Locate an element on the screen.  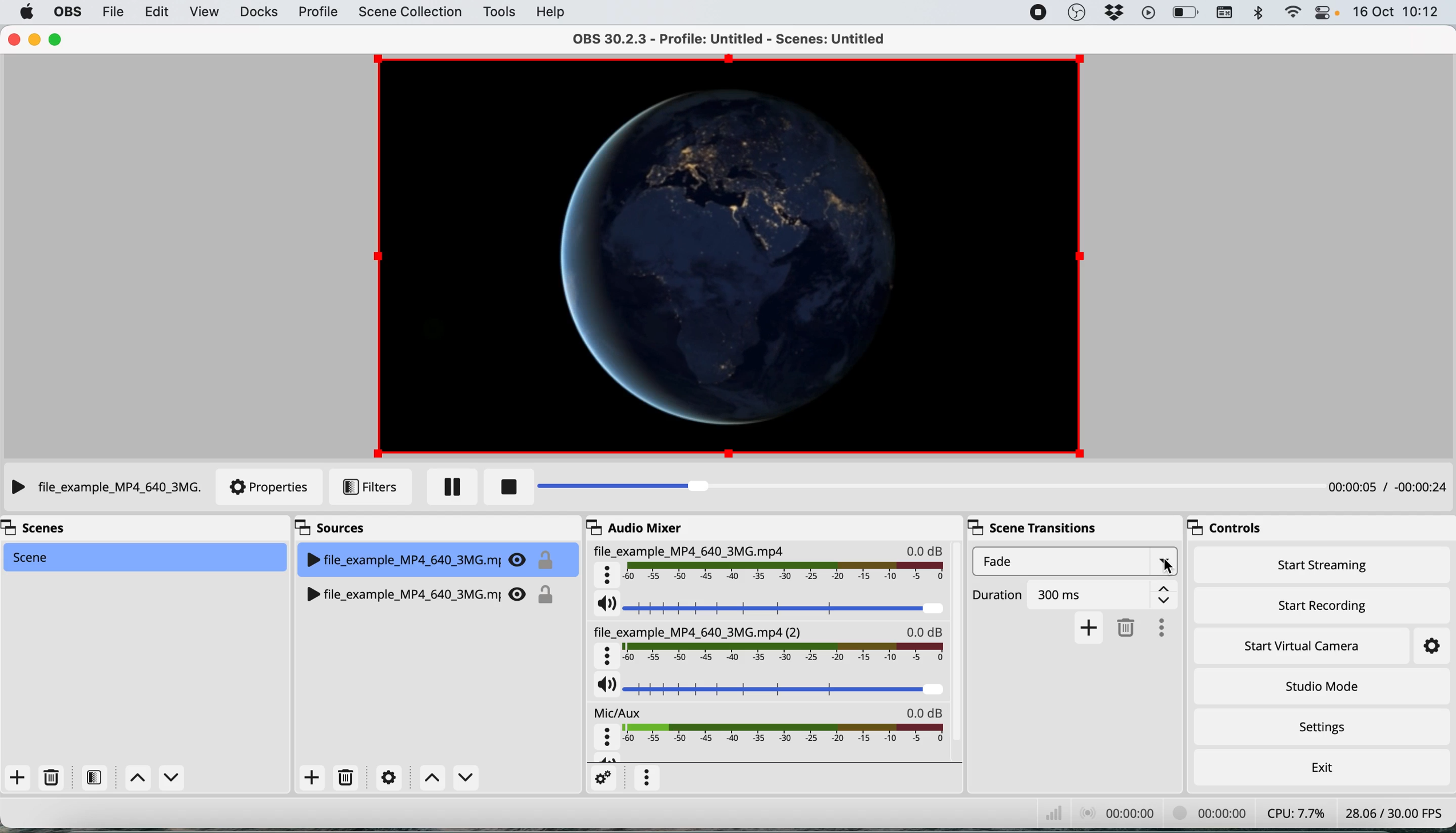
delete source is located at coordinates (345, 778).